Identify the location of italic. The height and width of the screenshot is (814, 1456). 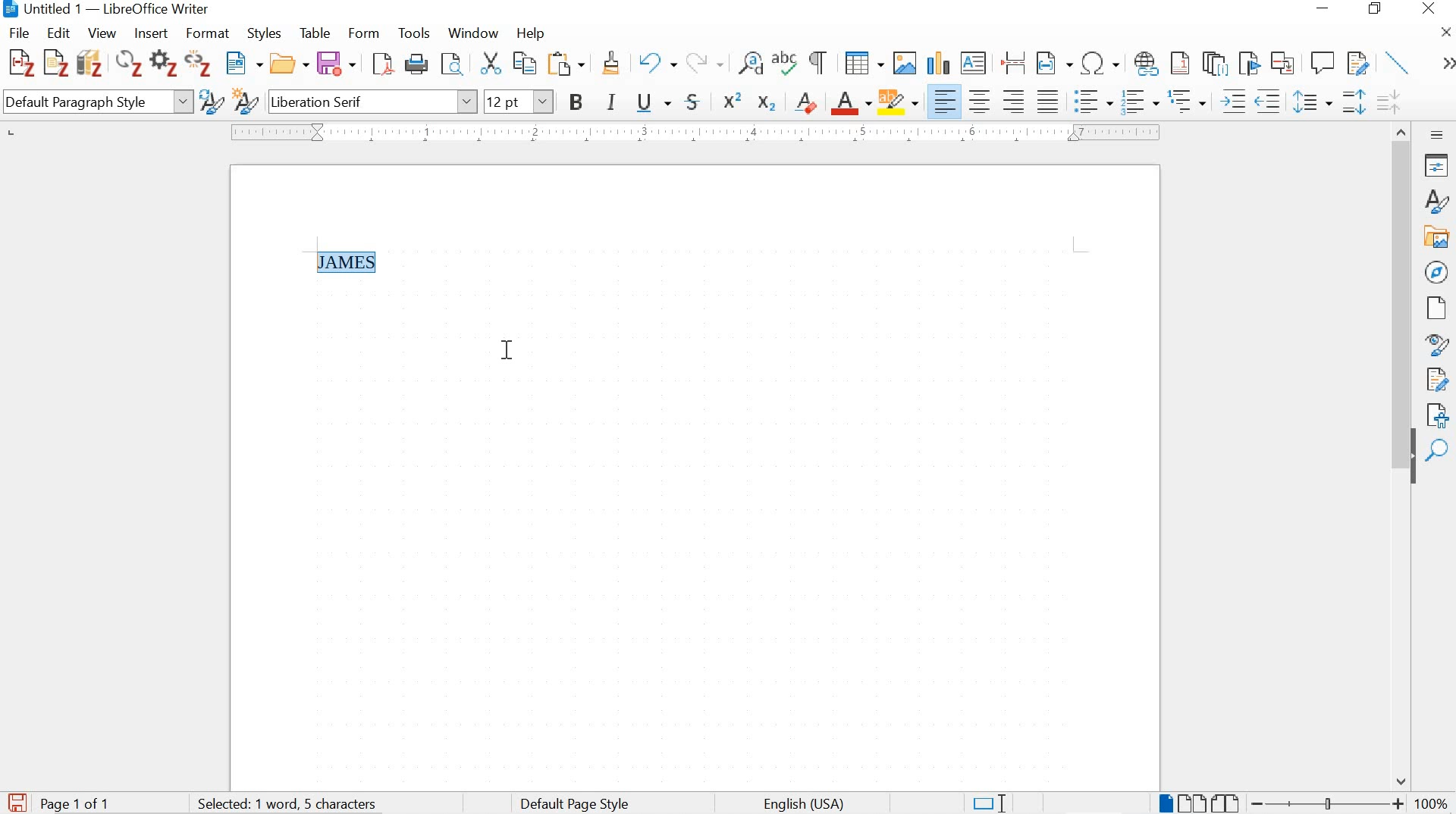
(613, 104).